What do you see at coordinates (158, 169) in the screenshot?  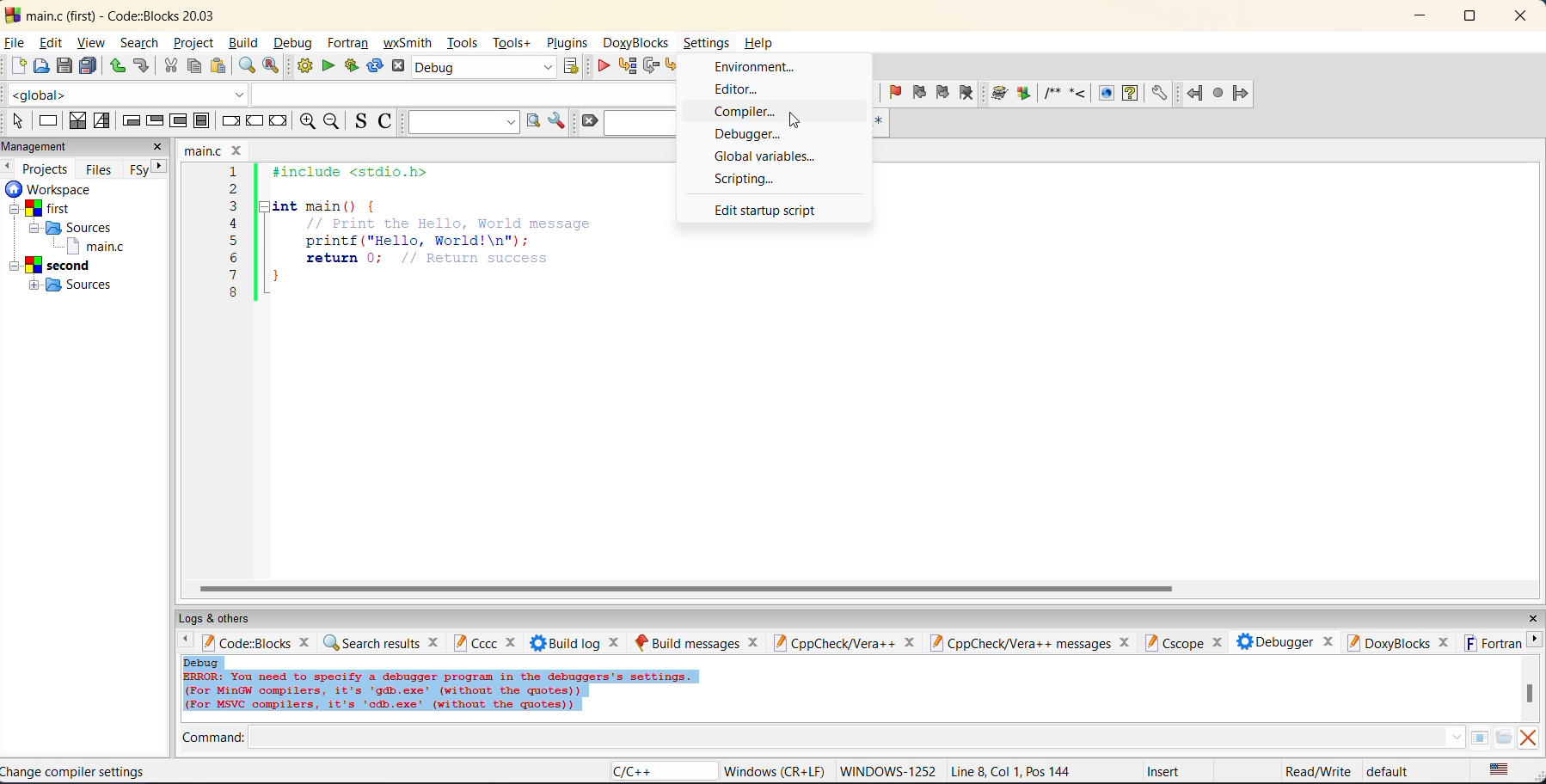 I see `next` at bounding box center [158, 169].